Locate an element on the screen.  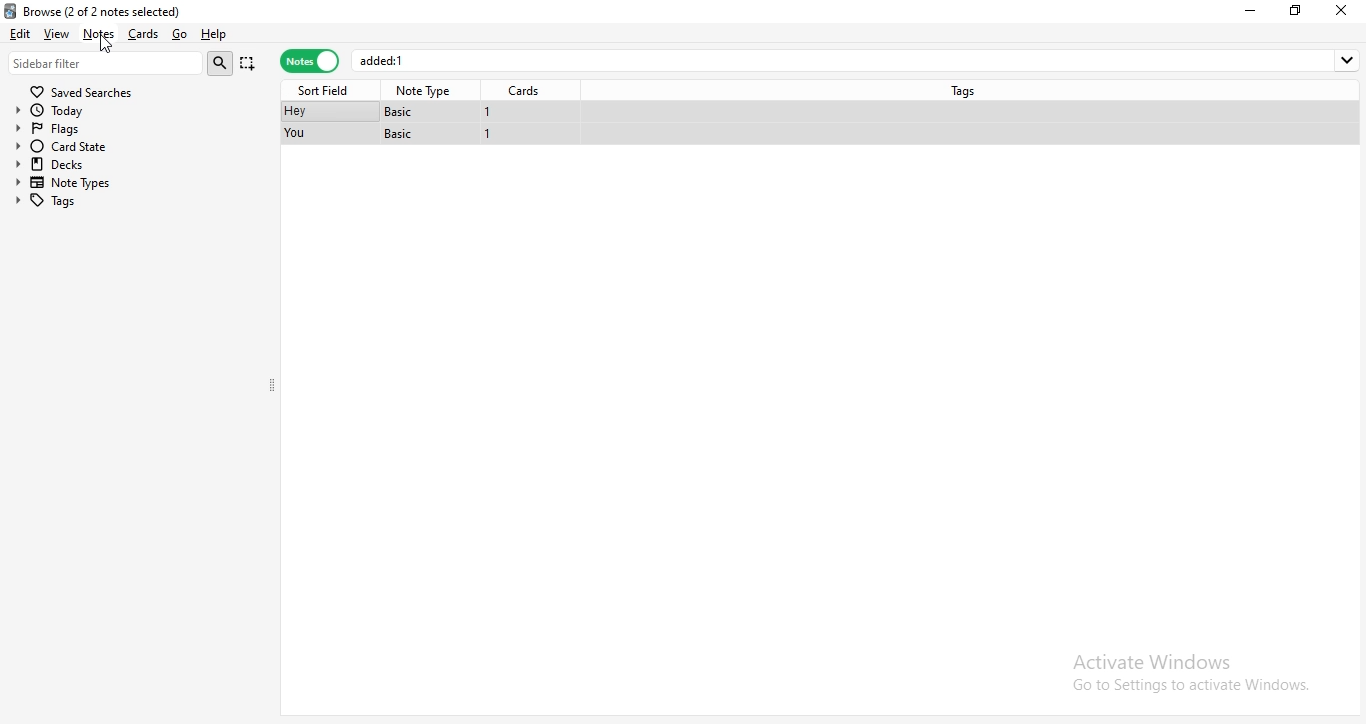
basic is located at coordinates (405, 111).